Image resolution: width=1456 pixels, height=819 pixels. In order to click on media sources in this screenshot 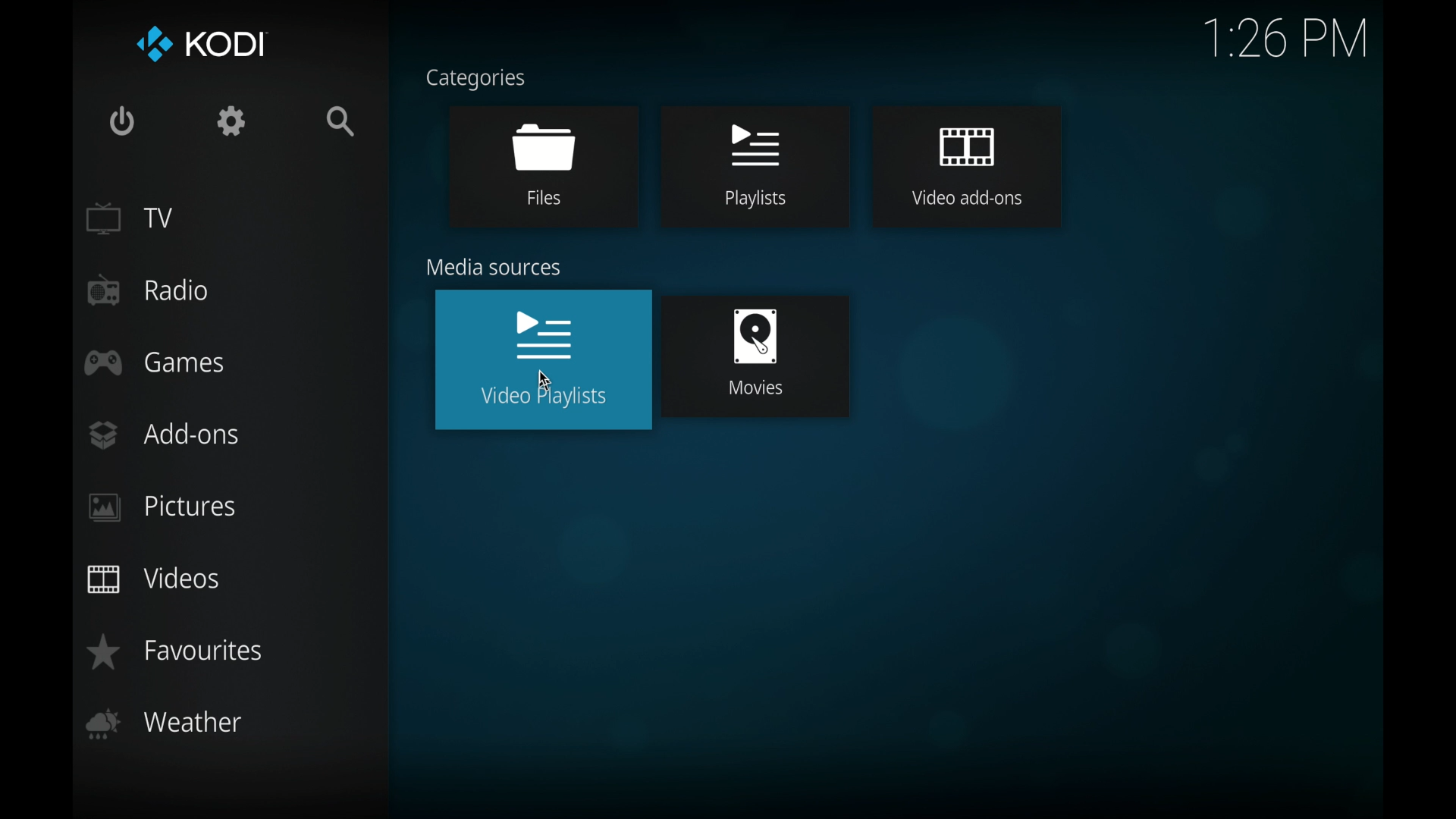, I will do `click(494, 268)`.